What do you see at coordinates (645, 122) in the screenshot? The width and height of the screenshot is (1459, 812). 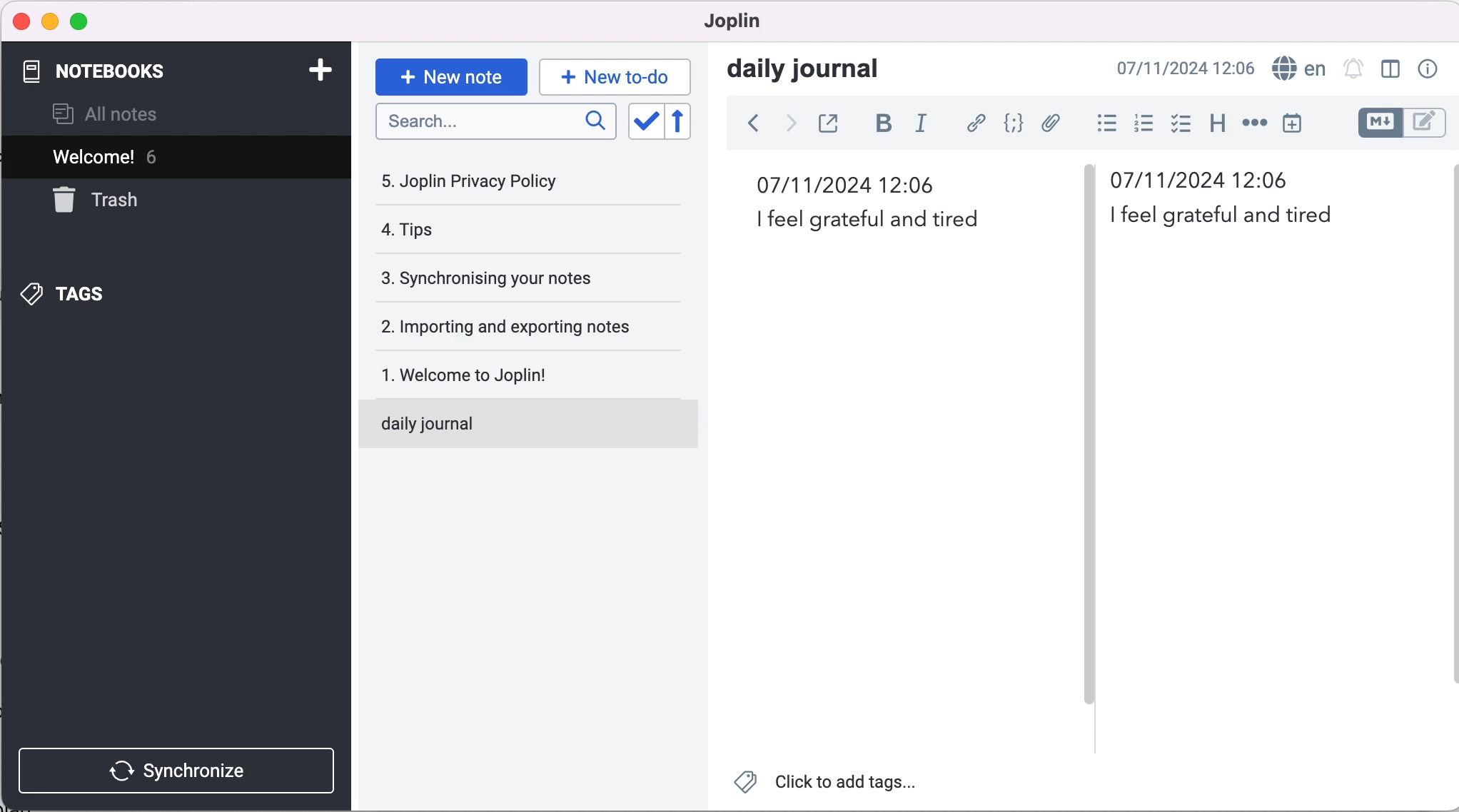 I see `toggle sort order` at bounding box center [645, 122].